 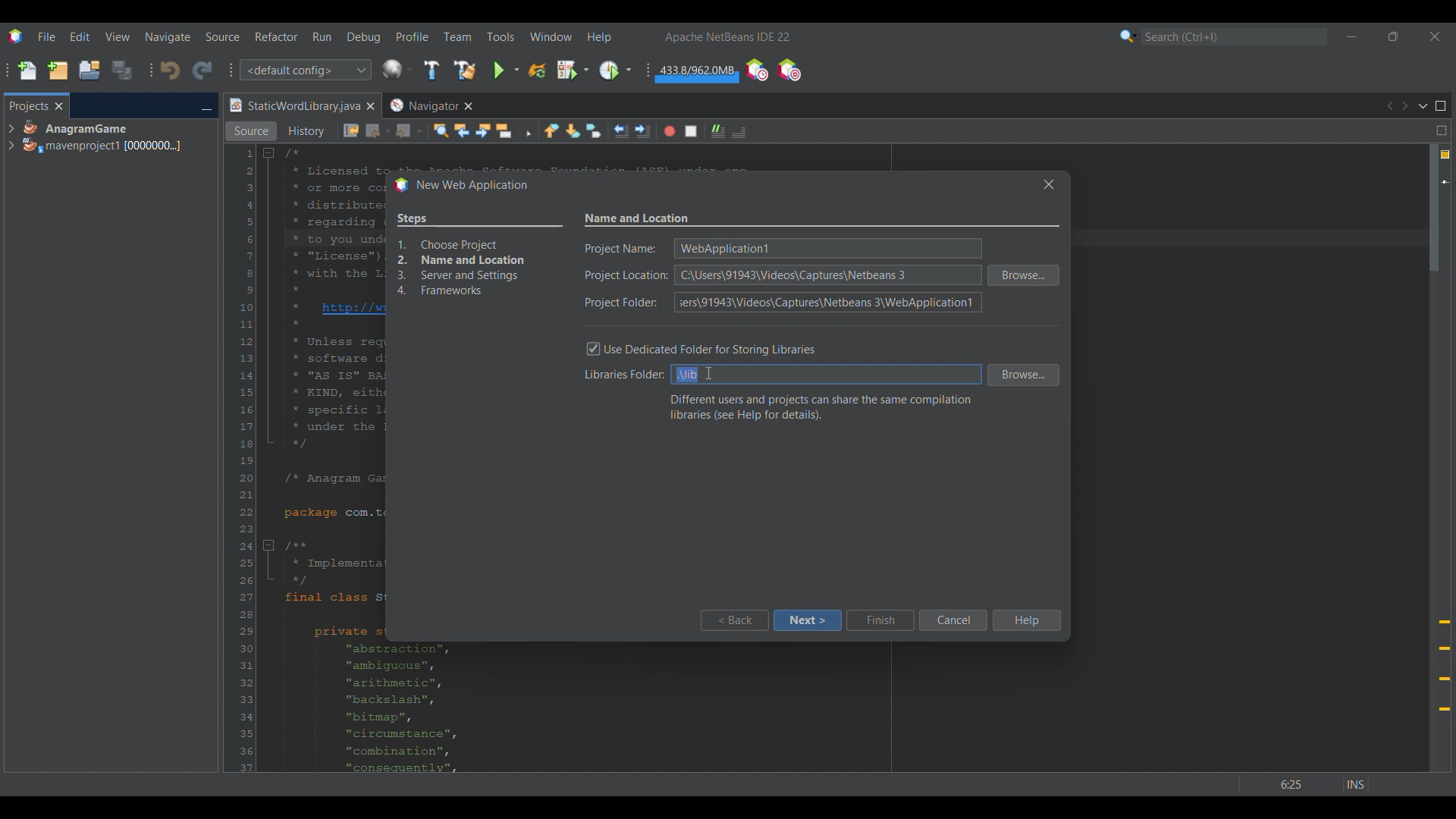 What do you see at coordinates (551, 130) in the screenshot?
I see `Previous bookmark` at bounding box center [551, 130].